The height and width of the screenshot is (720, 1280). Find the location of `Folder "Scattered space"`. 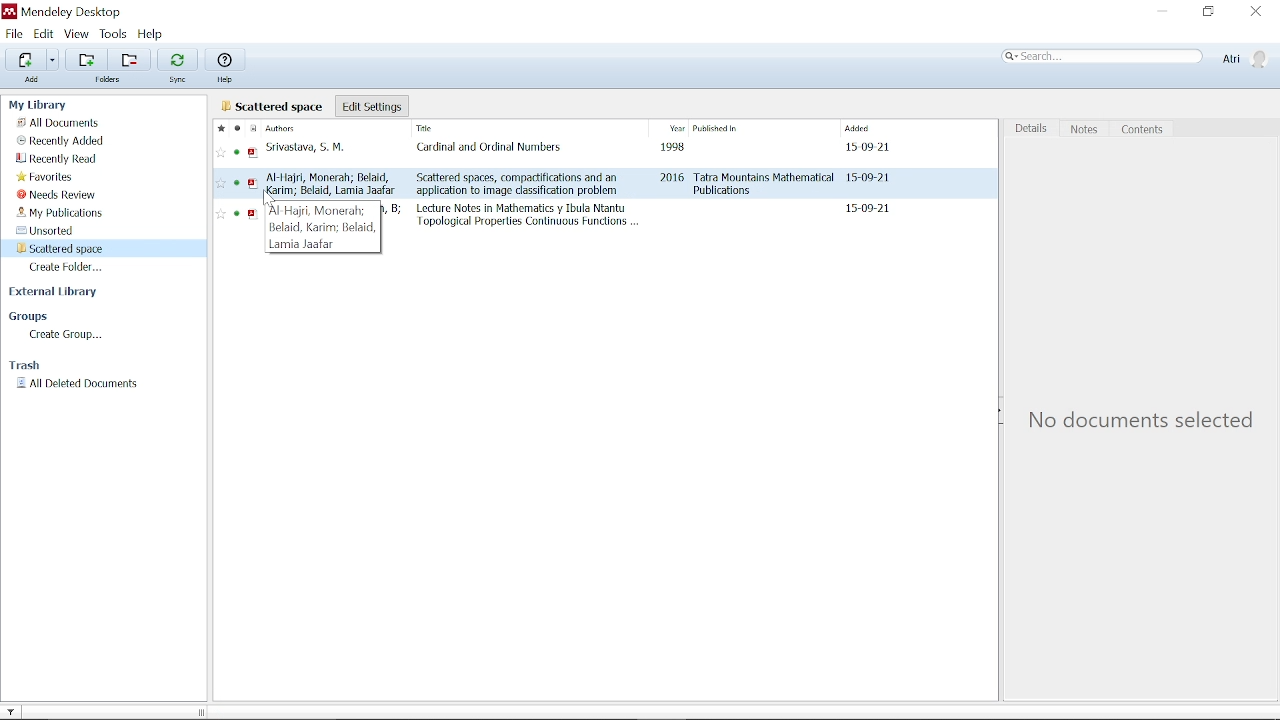

Folder "Scattered space" is located at coordinates (60, 248).